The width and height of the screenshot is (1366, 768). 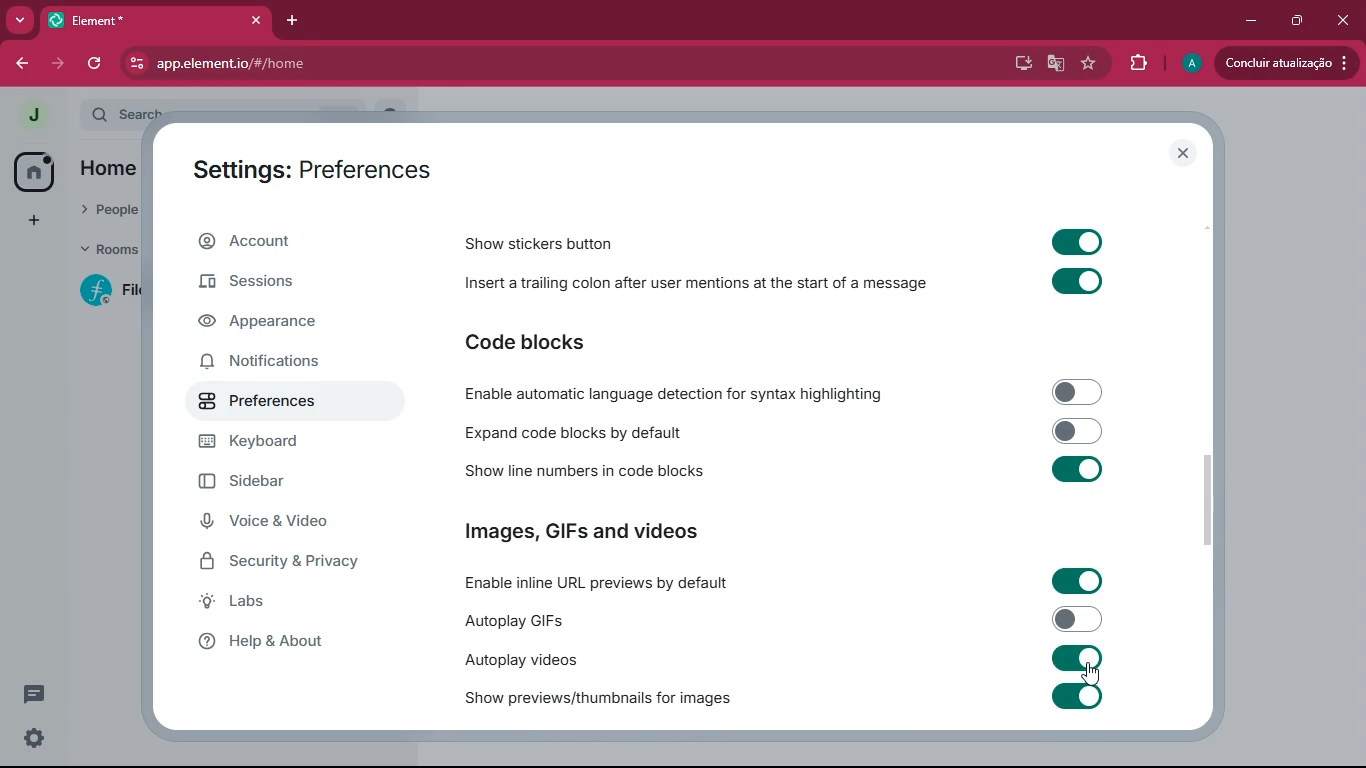 What do you see at coordinates (1077, 283) in the screenshot?
I see `` at bounding box center [1077, 283].